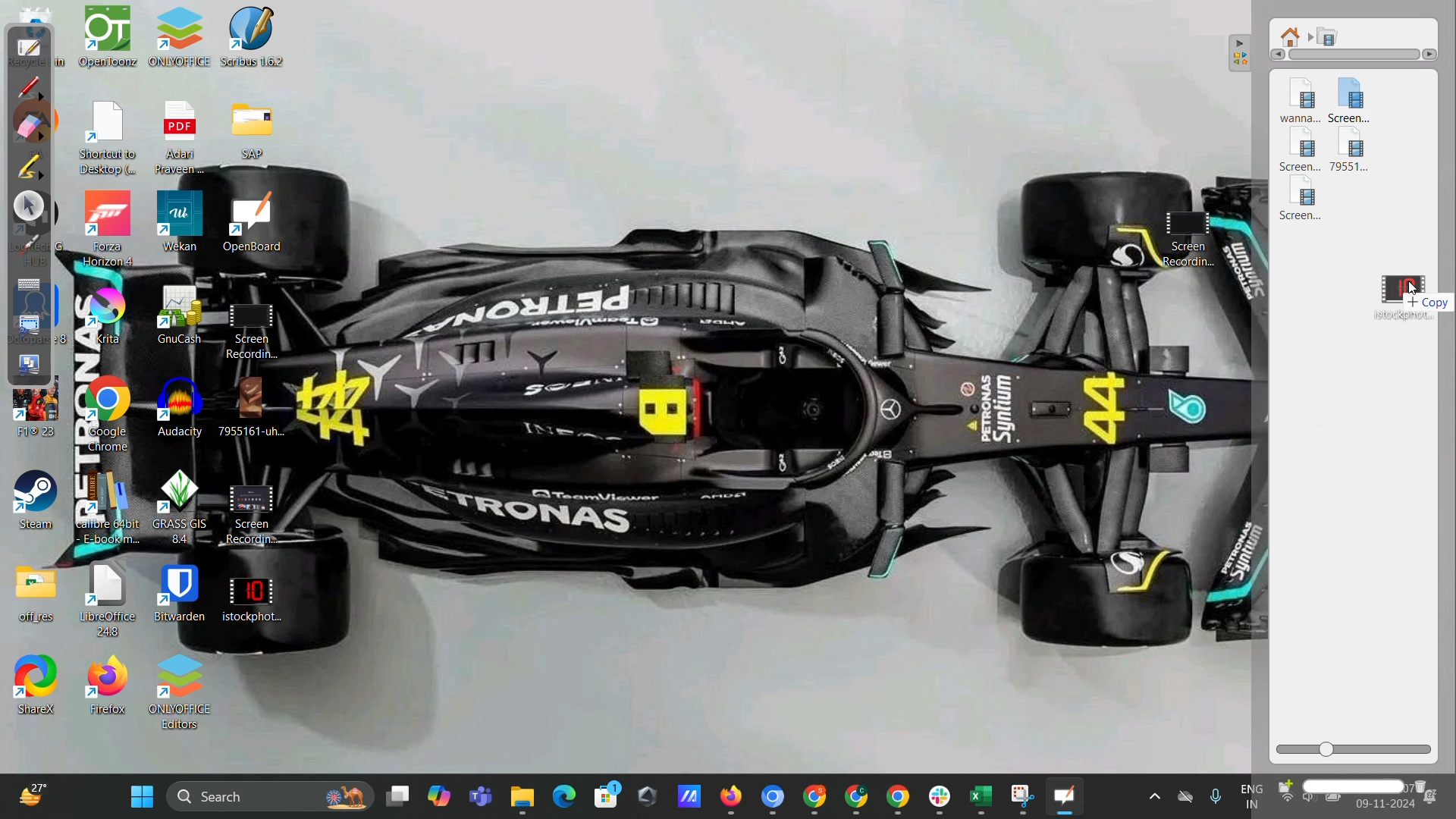 Image resolution: width=1456 pixels, height=819 pixels. What do you see at coordinates (518, 798) in the screenshot?
I see `Minimized file explorer` at bounding box center [518, 798].